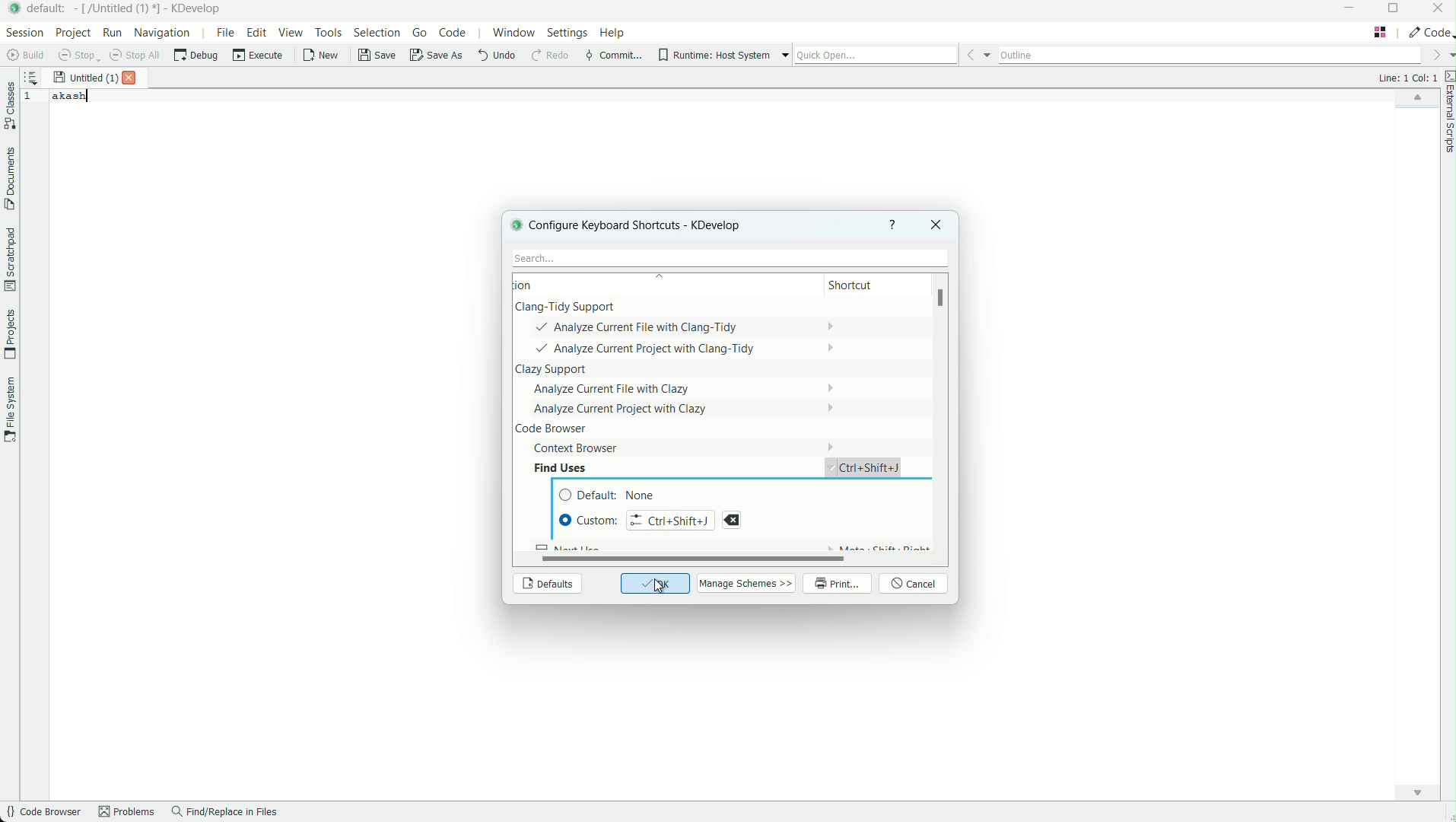 The image size is (1456, 822). What do you see at coordinates (9, 259) in the screenshot?
I see `scratchpad` at bounding box center [9, 259].